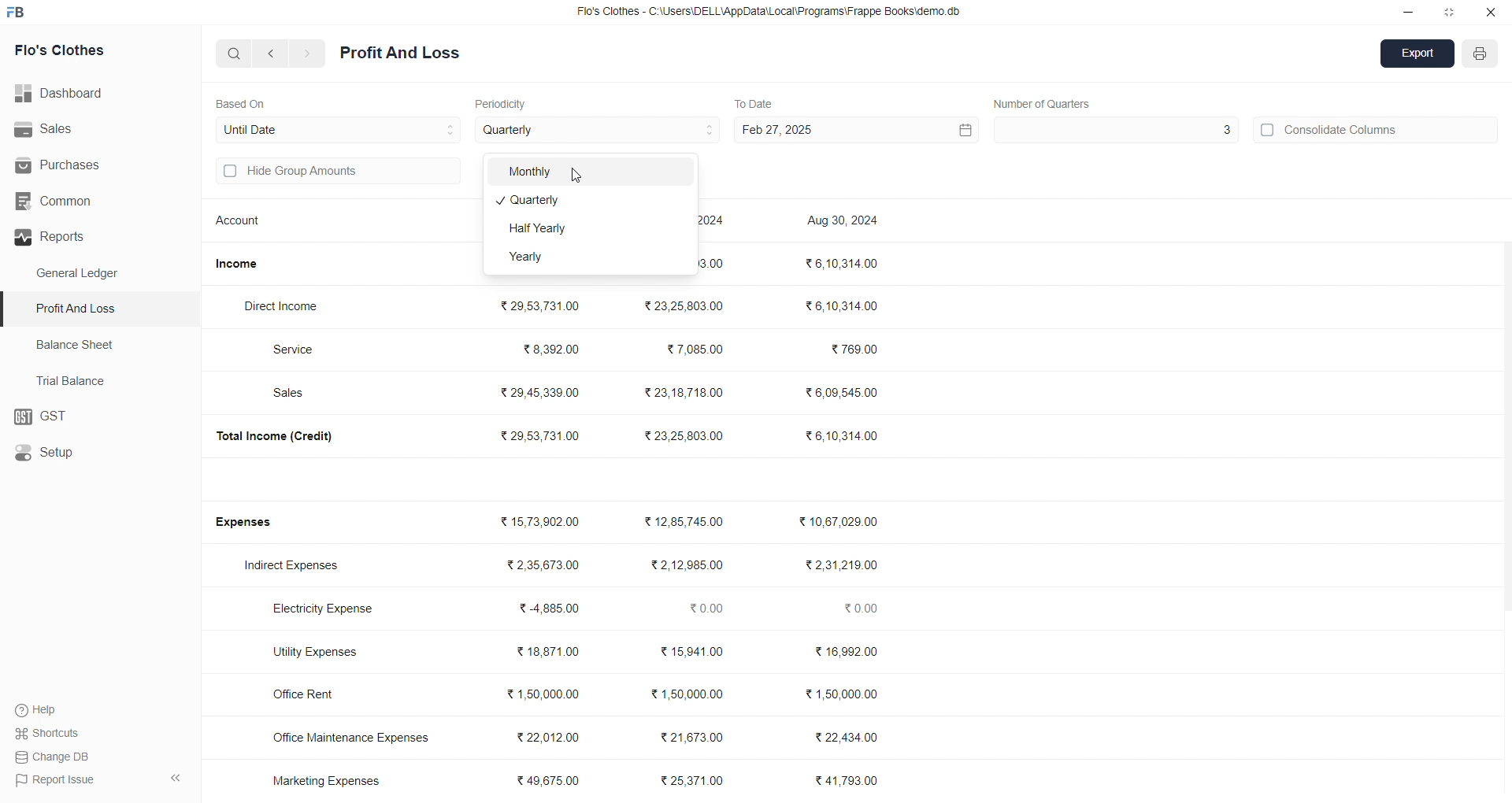 This screenshot has width=1512, height=803. Describe the element at coordinates (847, 694) in the screenshot. I see `₹1,50,000.00` at that location.